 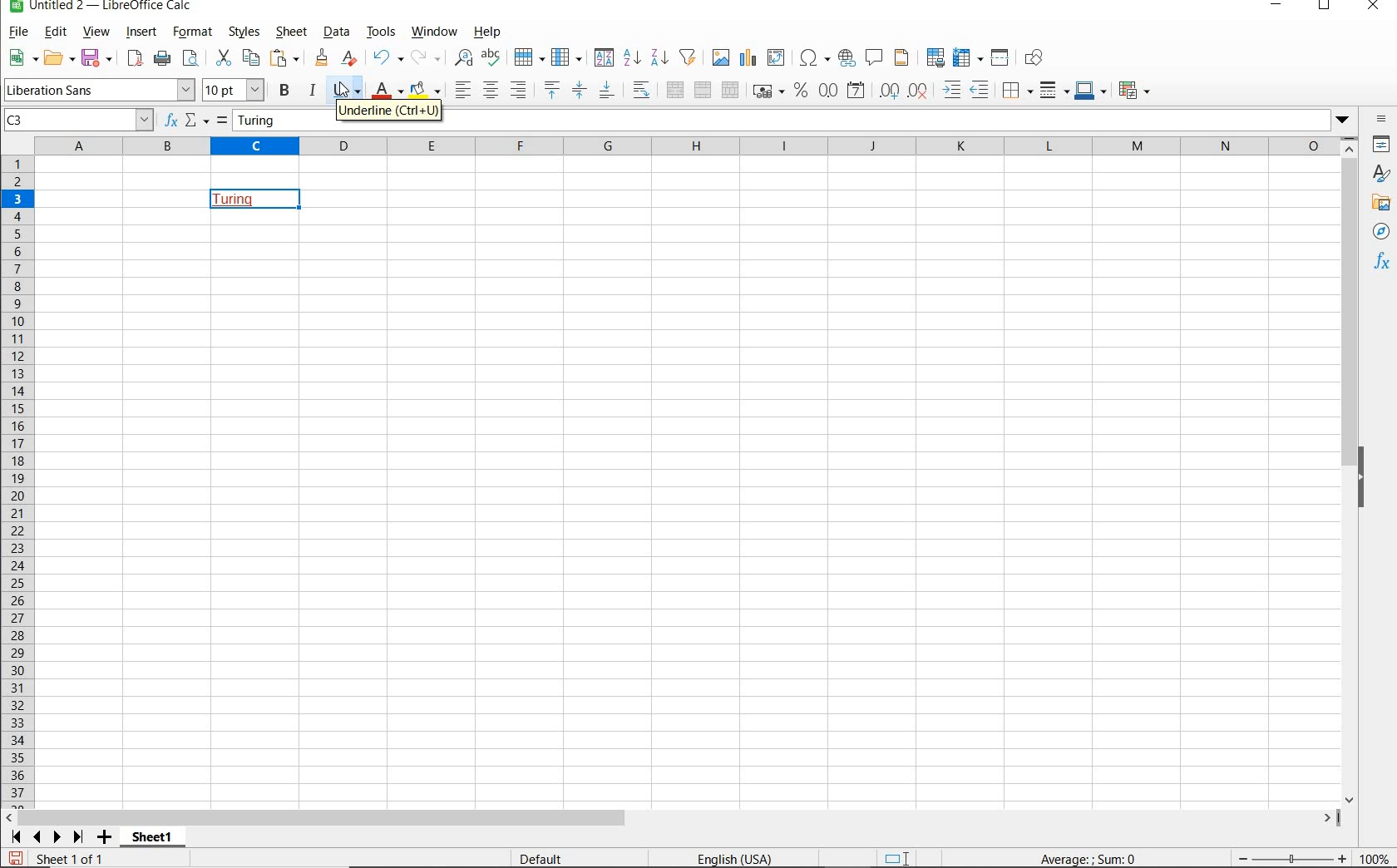 What do you see at coordinates (388, 60) in the screenshot?
I see `REDO` at bounding box center [388, 60].